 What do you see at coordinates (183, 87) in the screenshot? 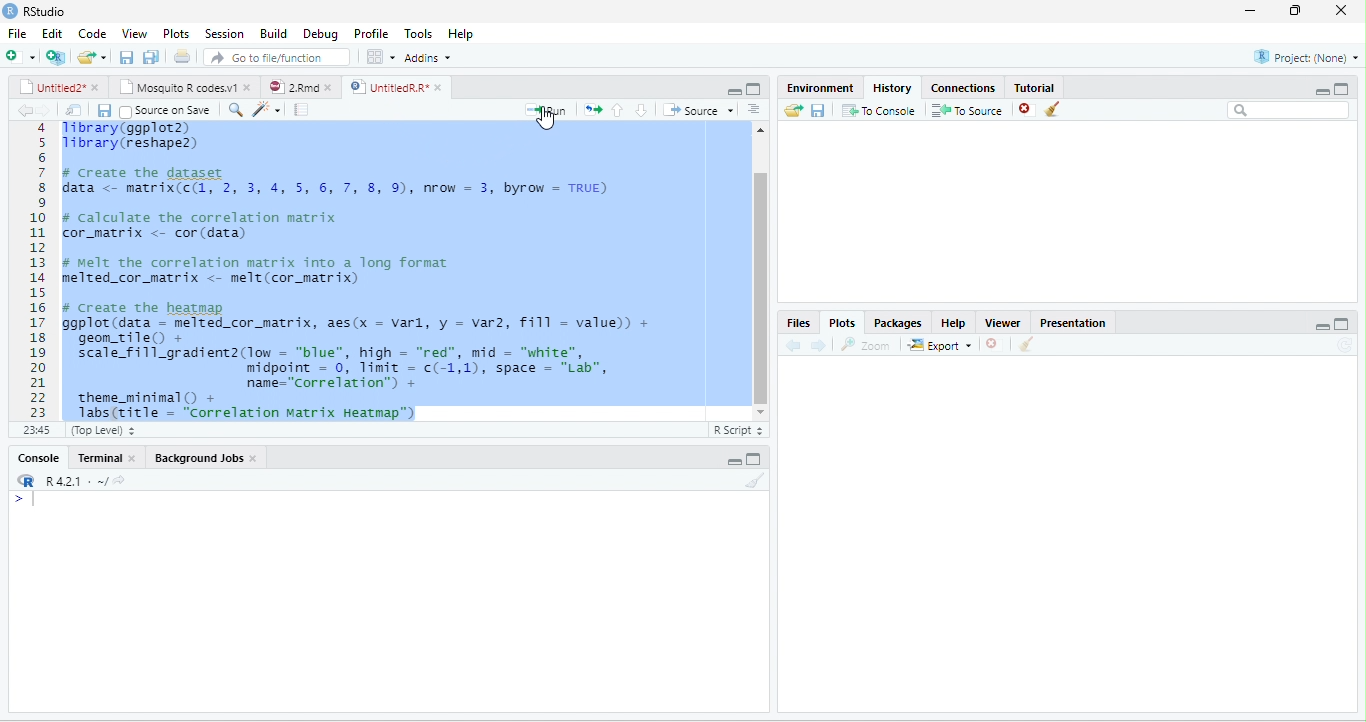
I see `mosquito R codes v1` at bounding box center [183, 87].